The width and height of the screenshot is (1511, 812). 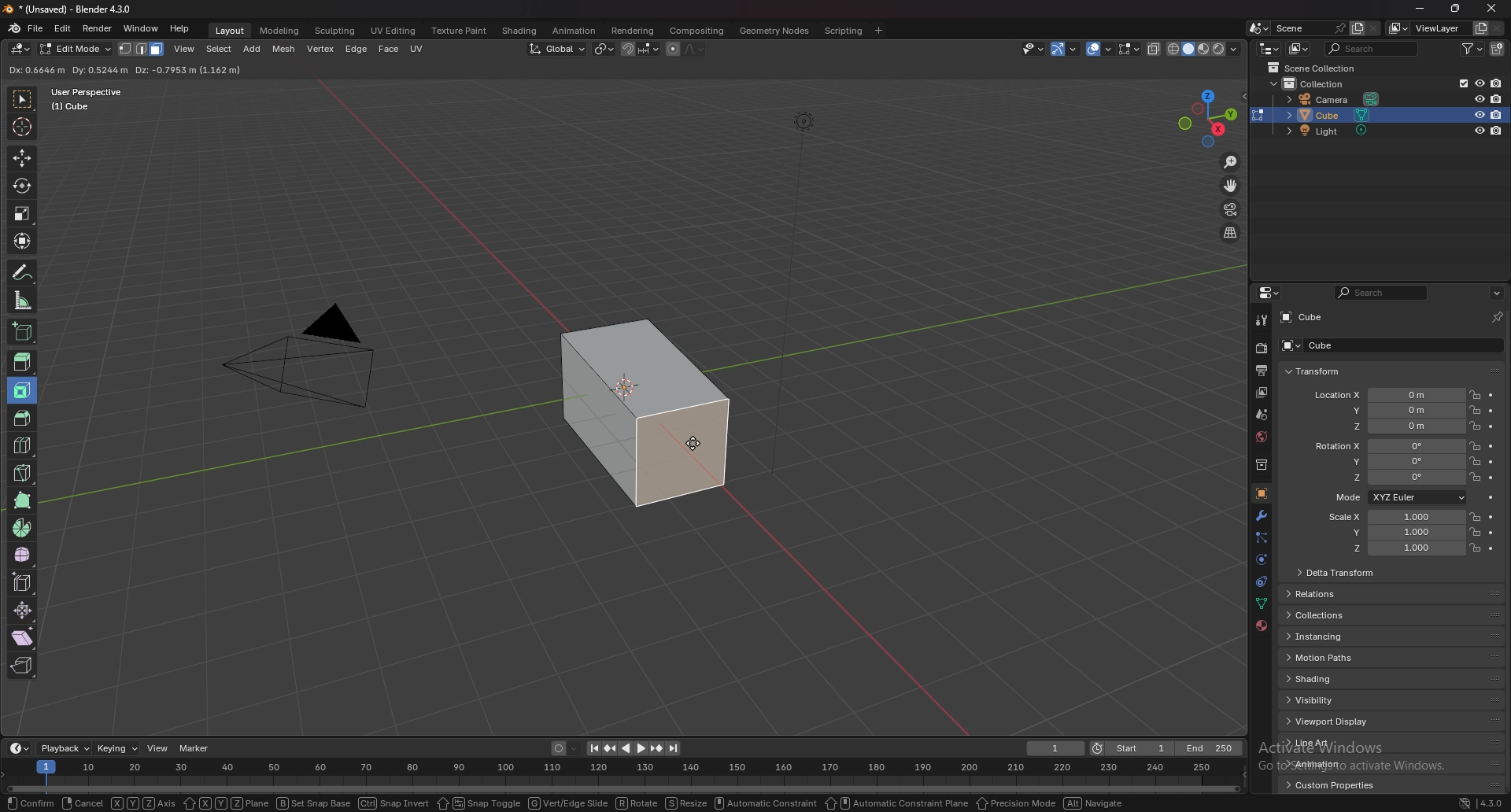 I want to click on rotation z, so click(x=1394, y=478).